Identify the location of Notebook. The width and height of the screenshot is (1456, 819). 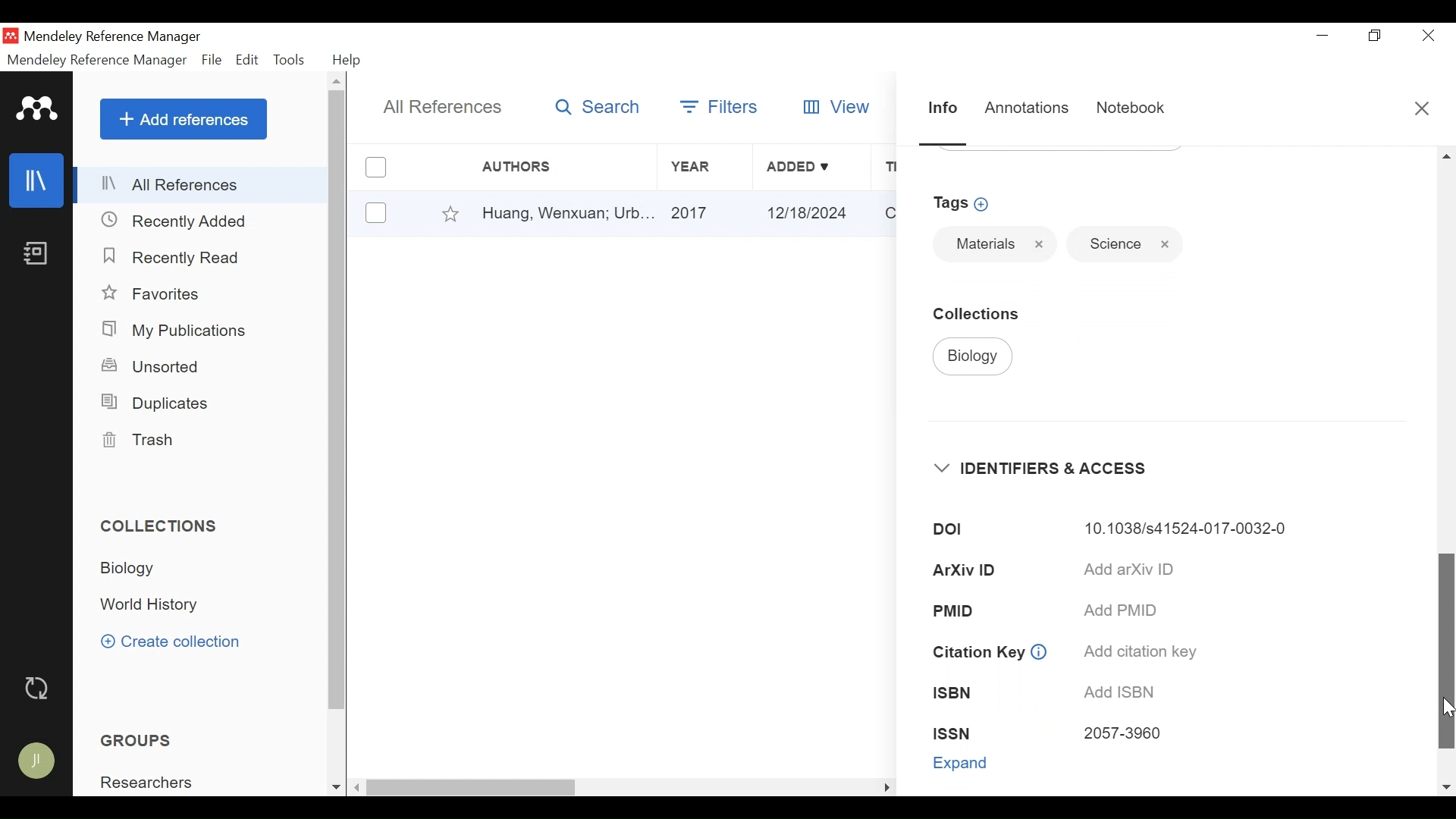
(1130, 108).